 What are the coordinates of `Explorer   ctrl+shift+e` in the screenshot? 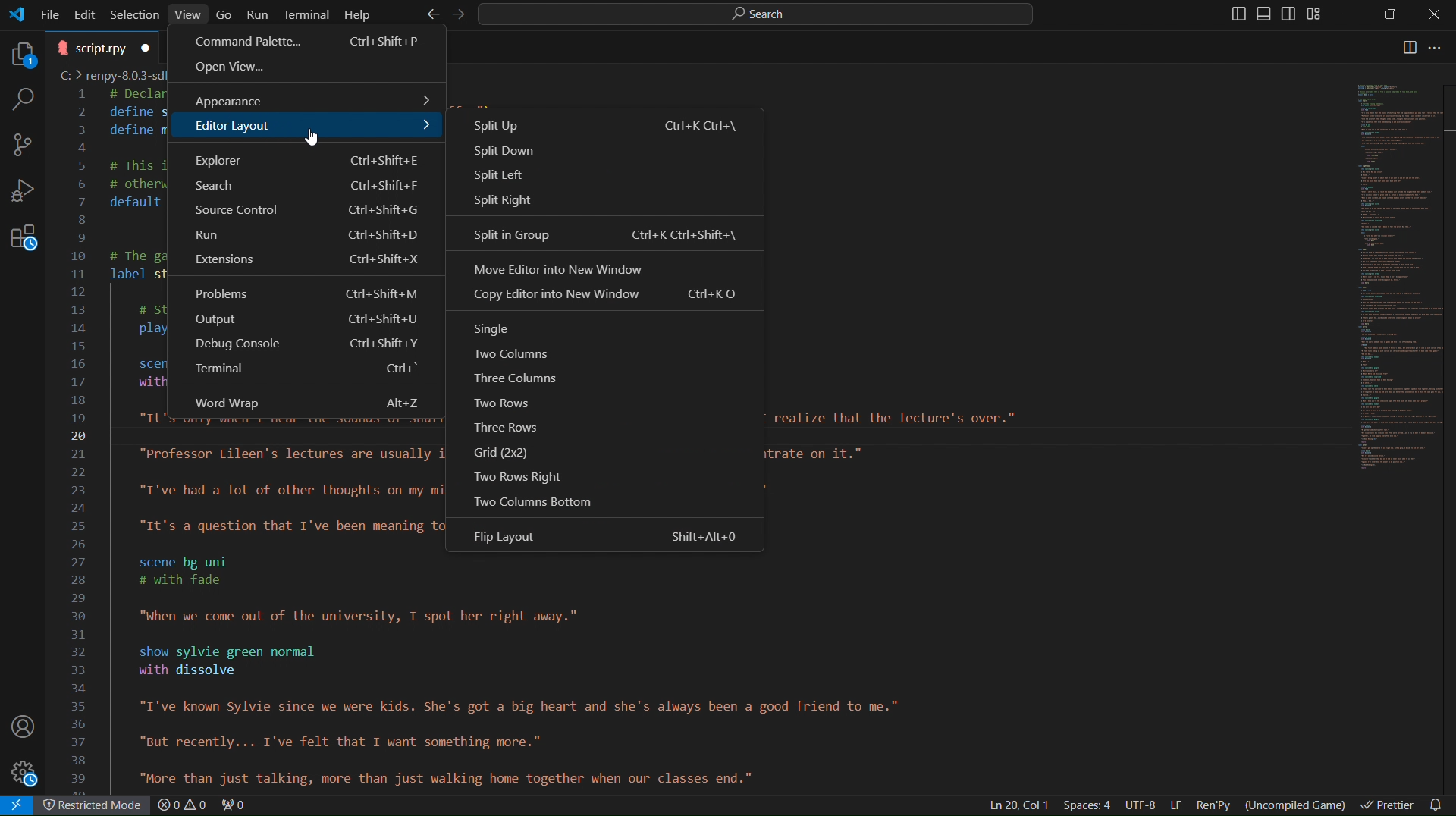 It's located at (303, 158).